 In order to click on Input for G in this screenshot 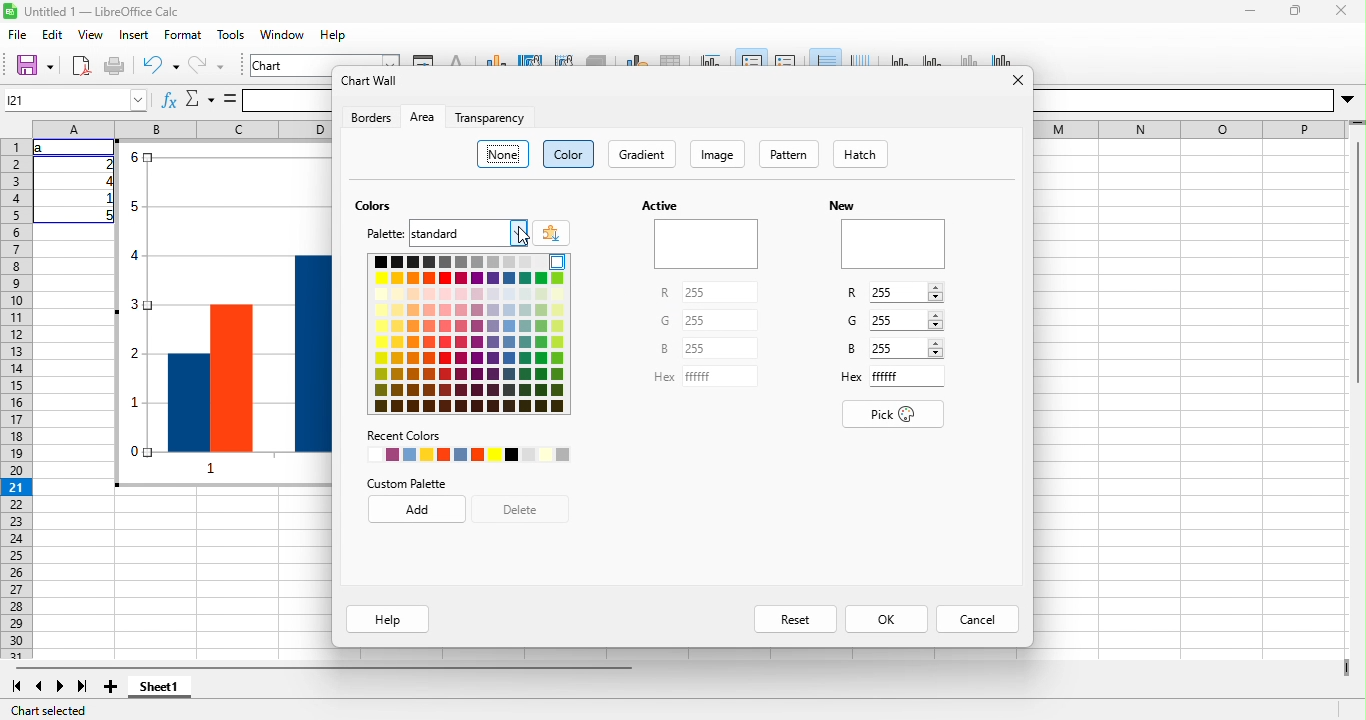, I will do `click(720, 320)`.